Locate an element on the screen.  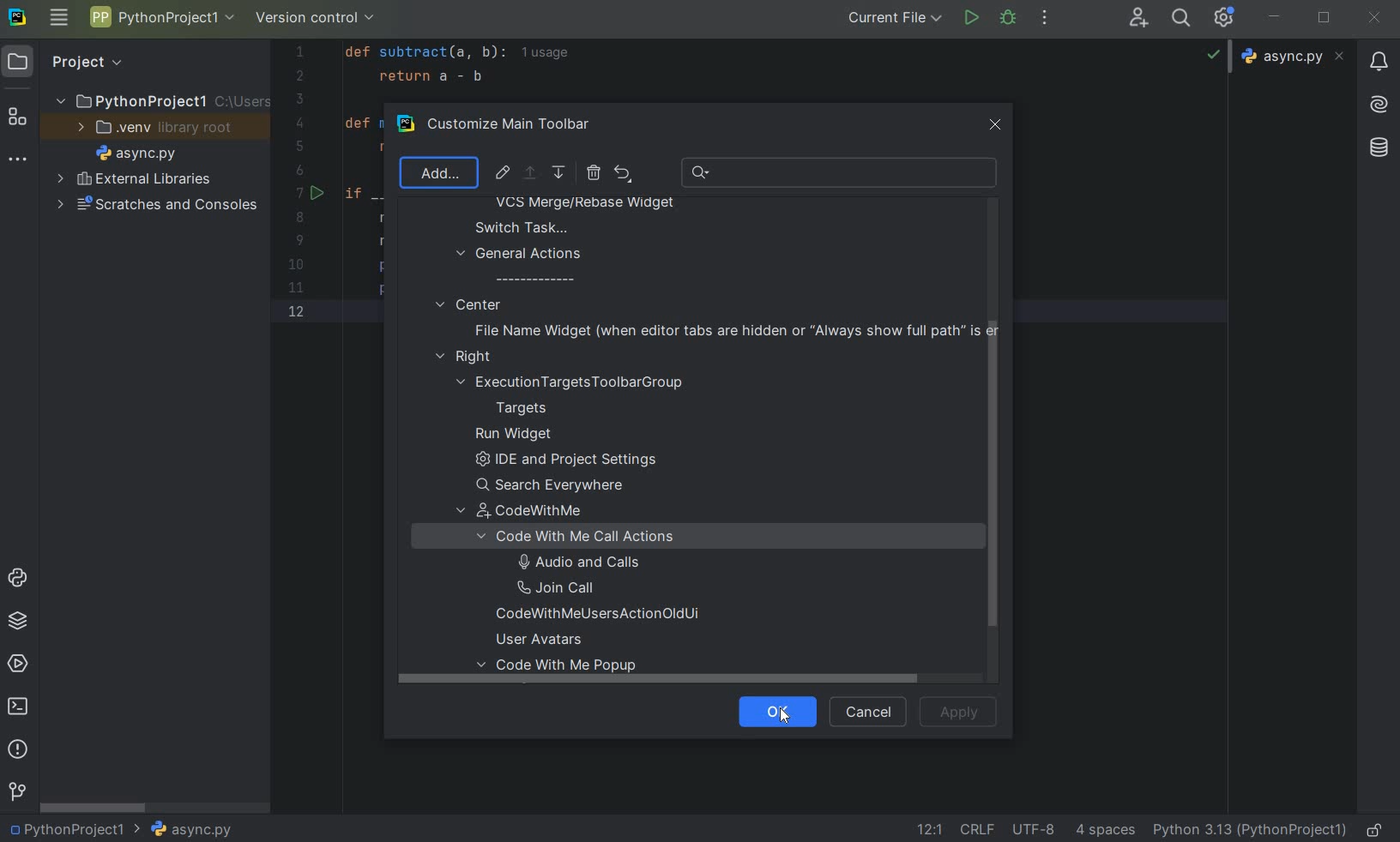
close window is located at coordinates (997, 122).